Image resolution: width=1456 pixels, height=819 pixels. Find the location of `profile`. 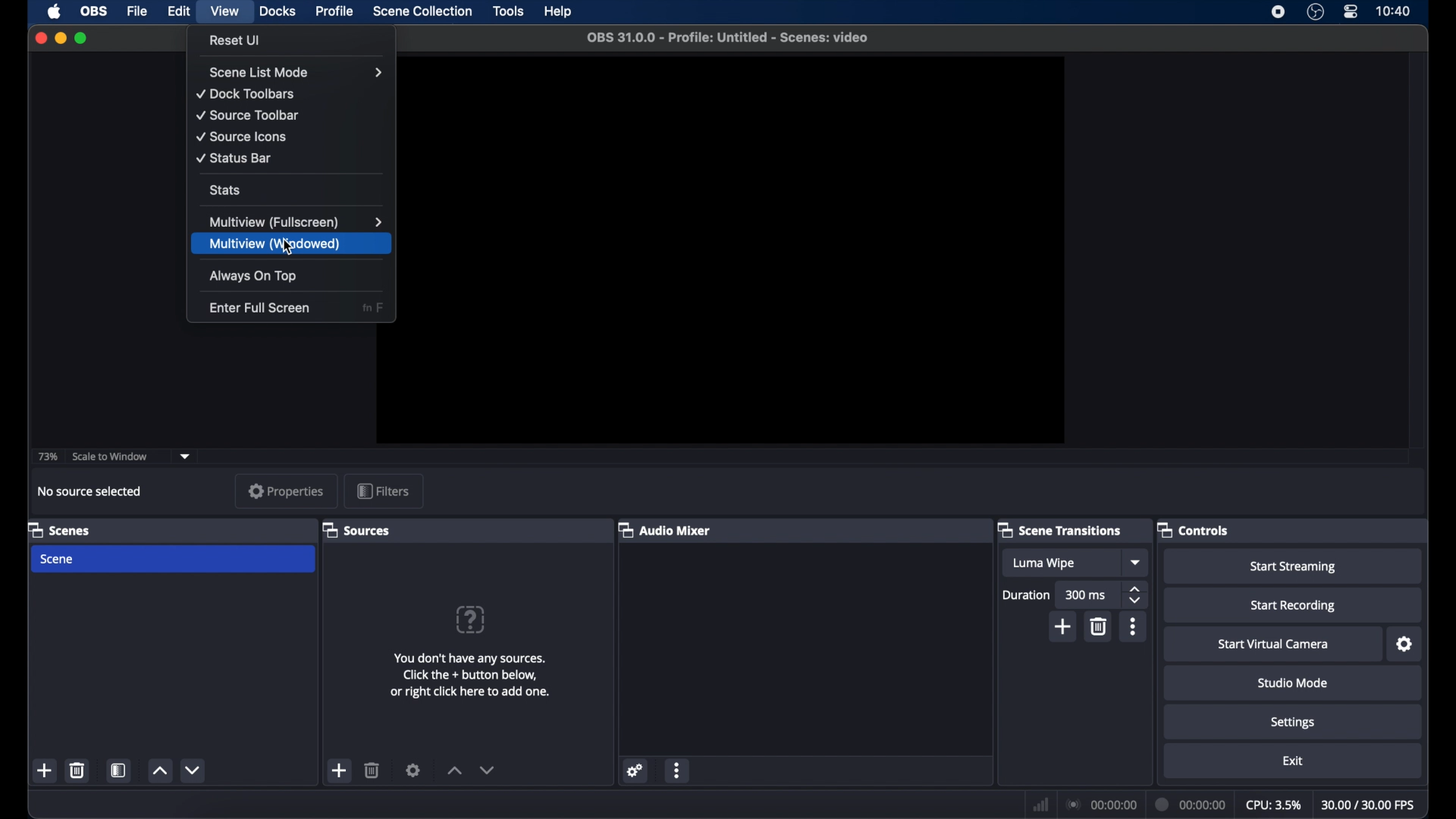

profile is located at coordinates (336, 11).